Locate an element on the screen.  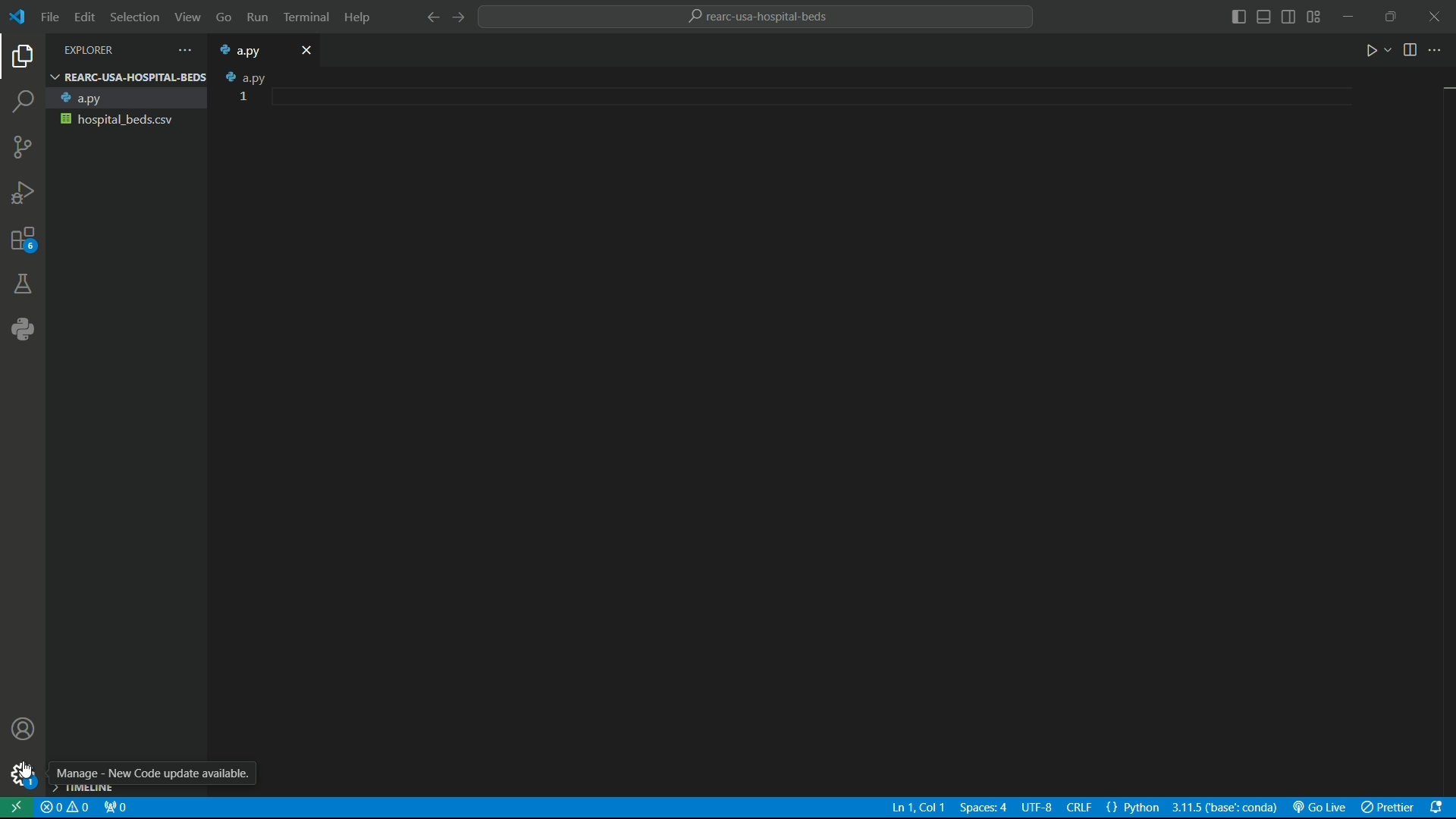
account is located at coordinates (25, 731).